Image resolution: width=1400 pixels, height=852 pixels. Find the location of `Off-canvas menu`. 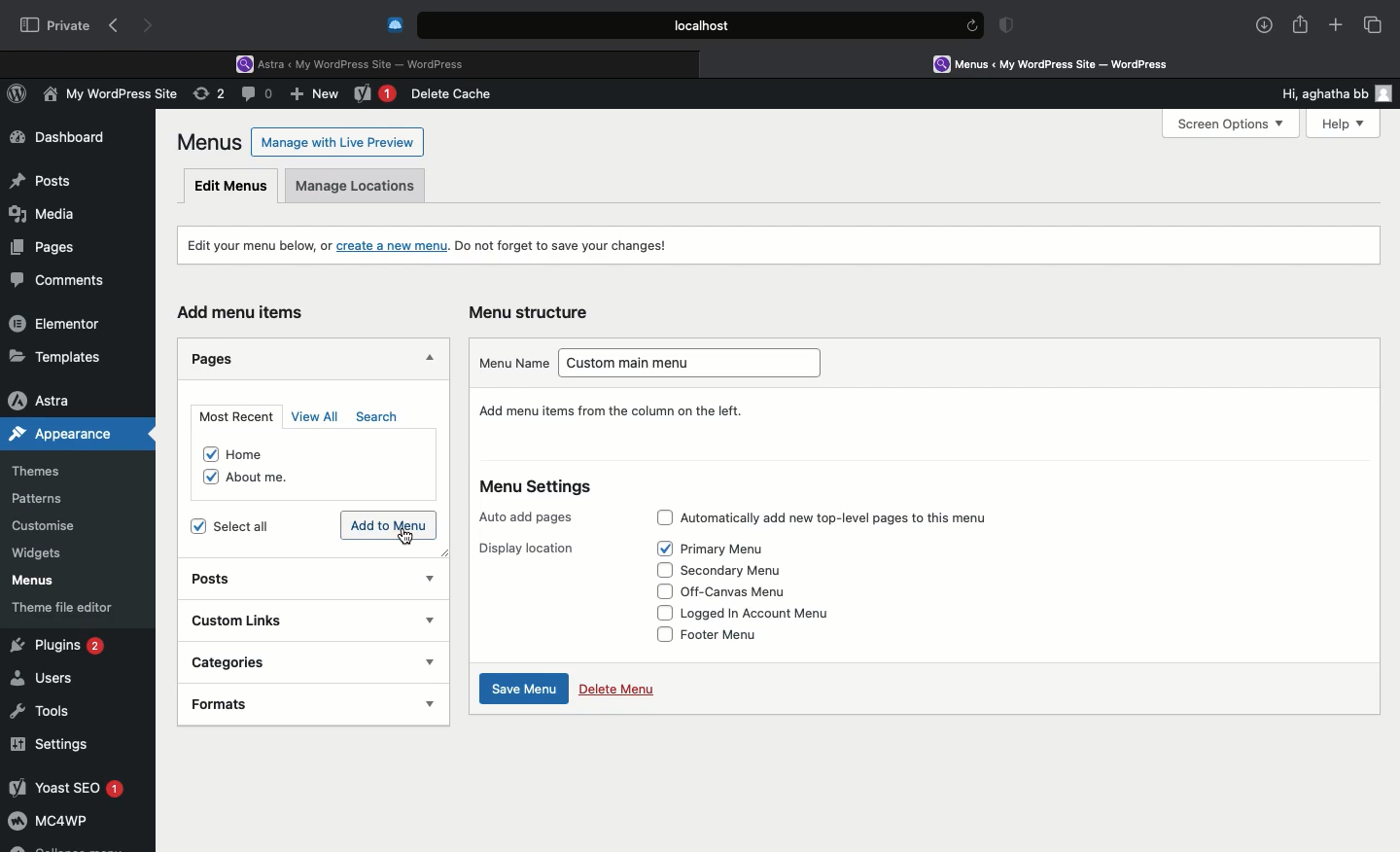

Off-canvas menu is located at coordinates (752, 589).